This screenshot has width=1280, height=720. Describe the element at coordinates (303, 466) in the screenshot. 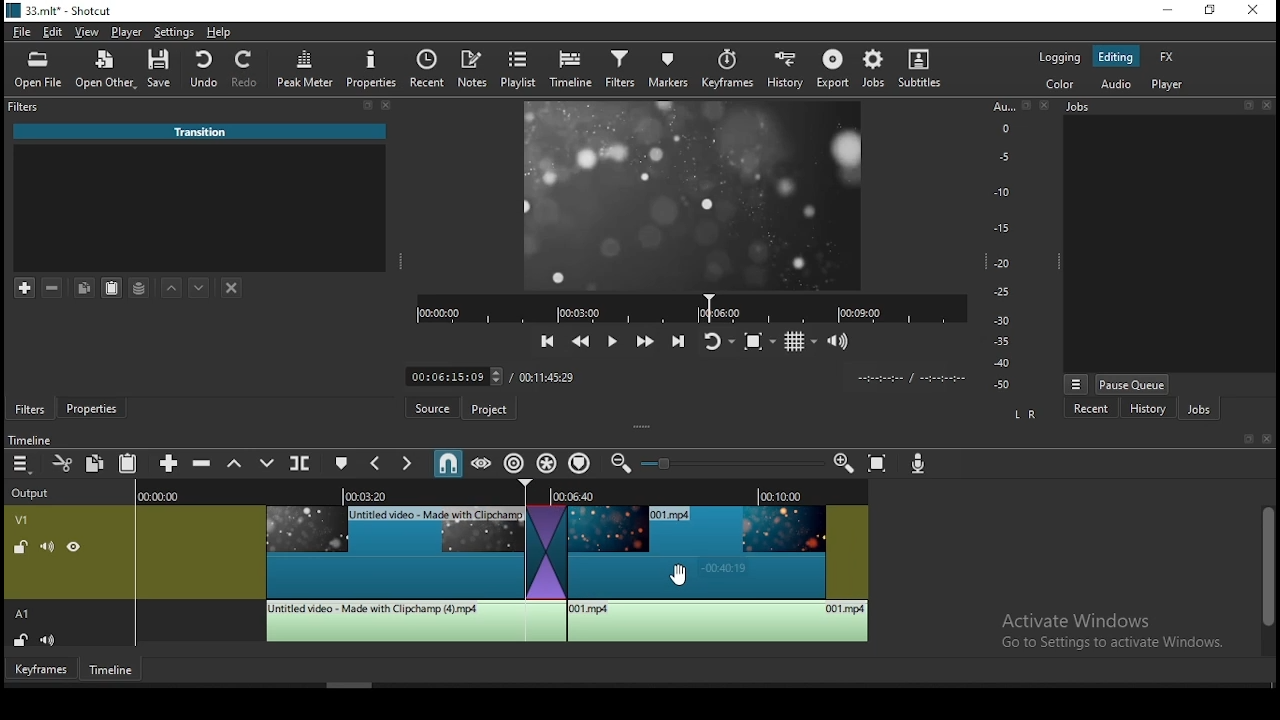

I see `split at playhead` at that location.